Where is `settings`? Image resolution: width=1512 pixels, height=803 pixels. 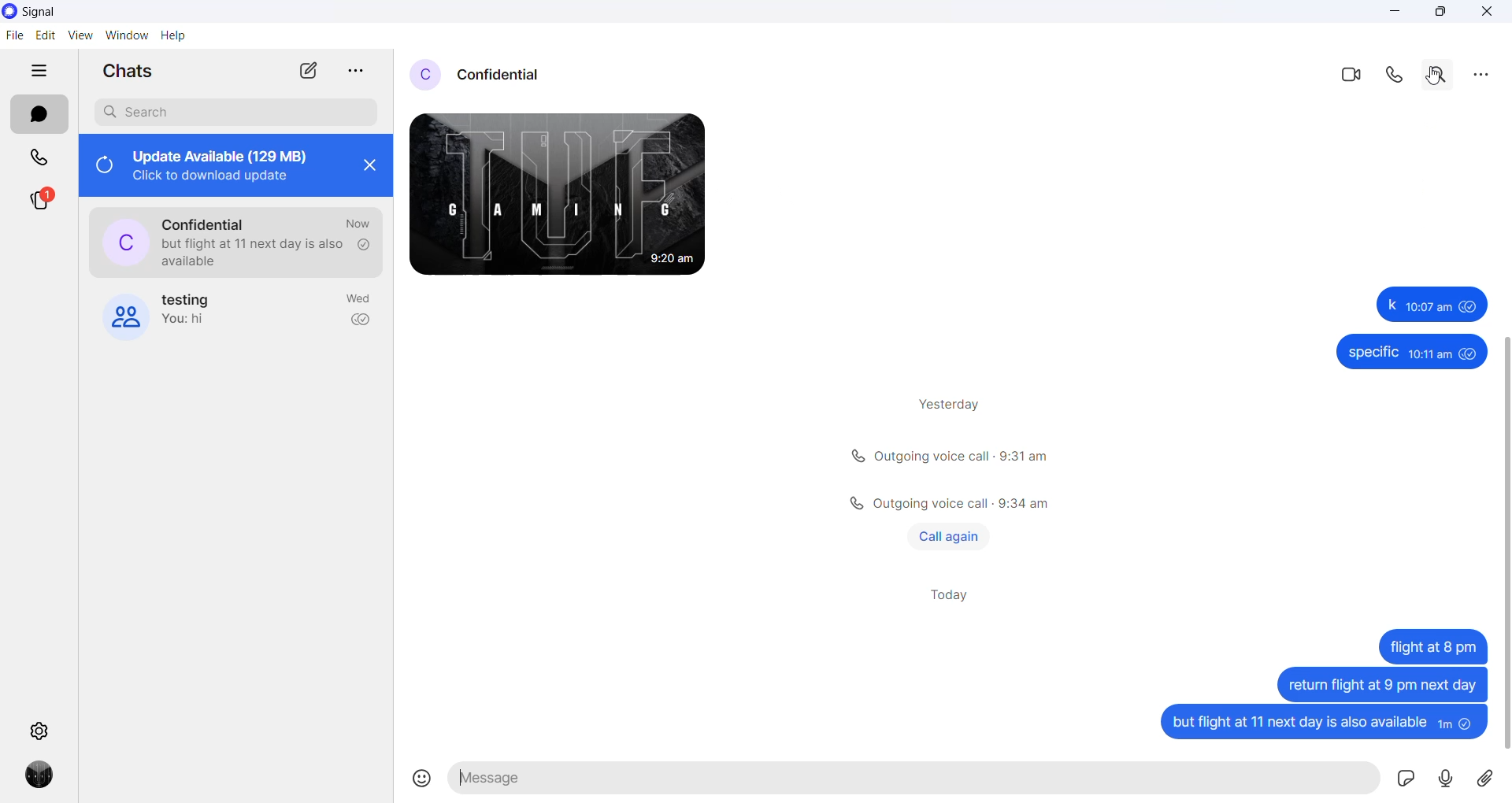
settings is located at coordinates (43, 729).